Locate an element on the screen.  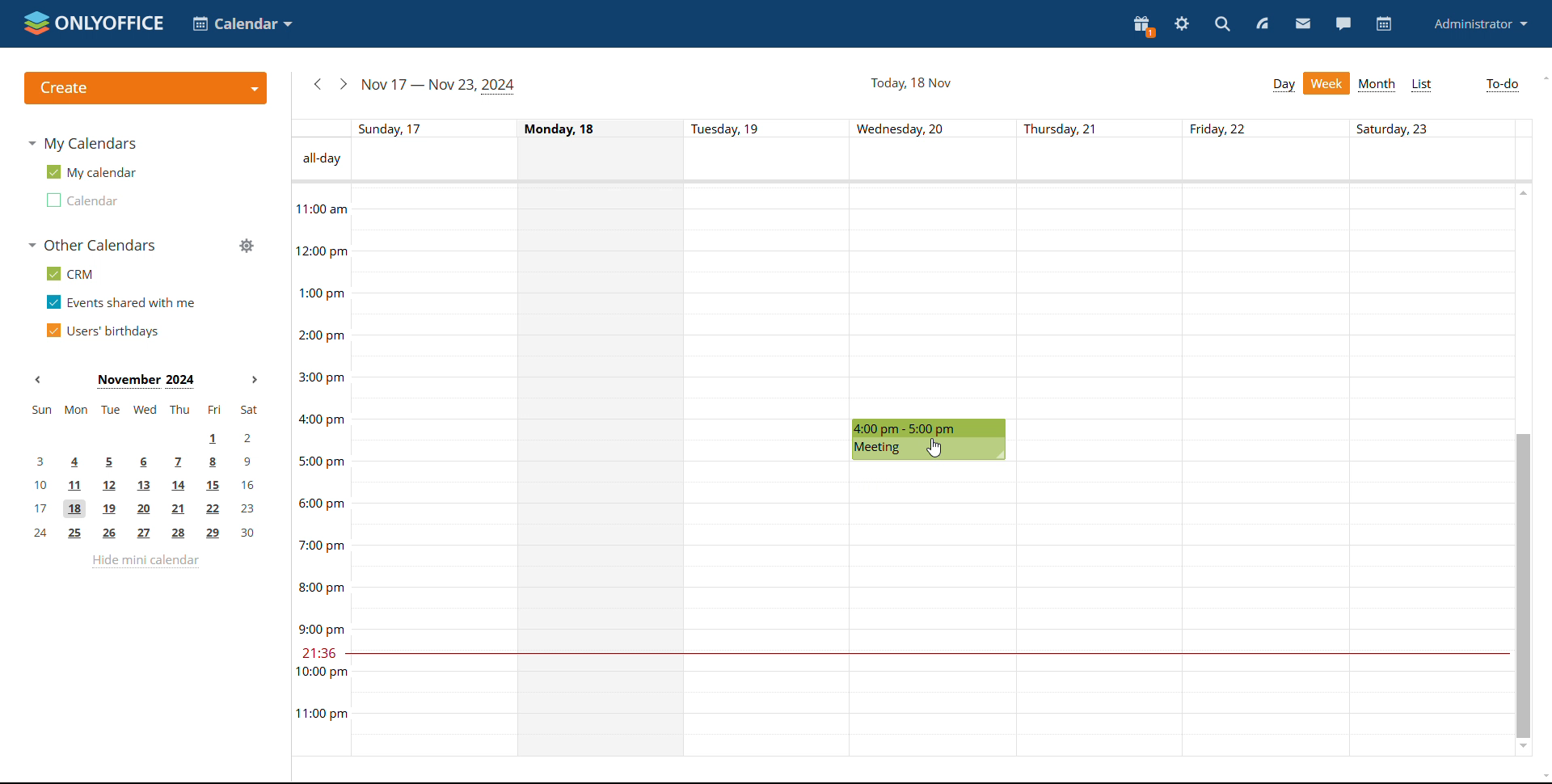
manage is located at coordinates (245, 245).